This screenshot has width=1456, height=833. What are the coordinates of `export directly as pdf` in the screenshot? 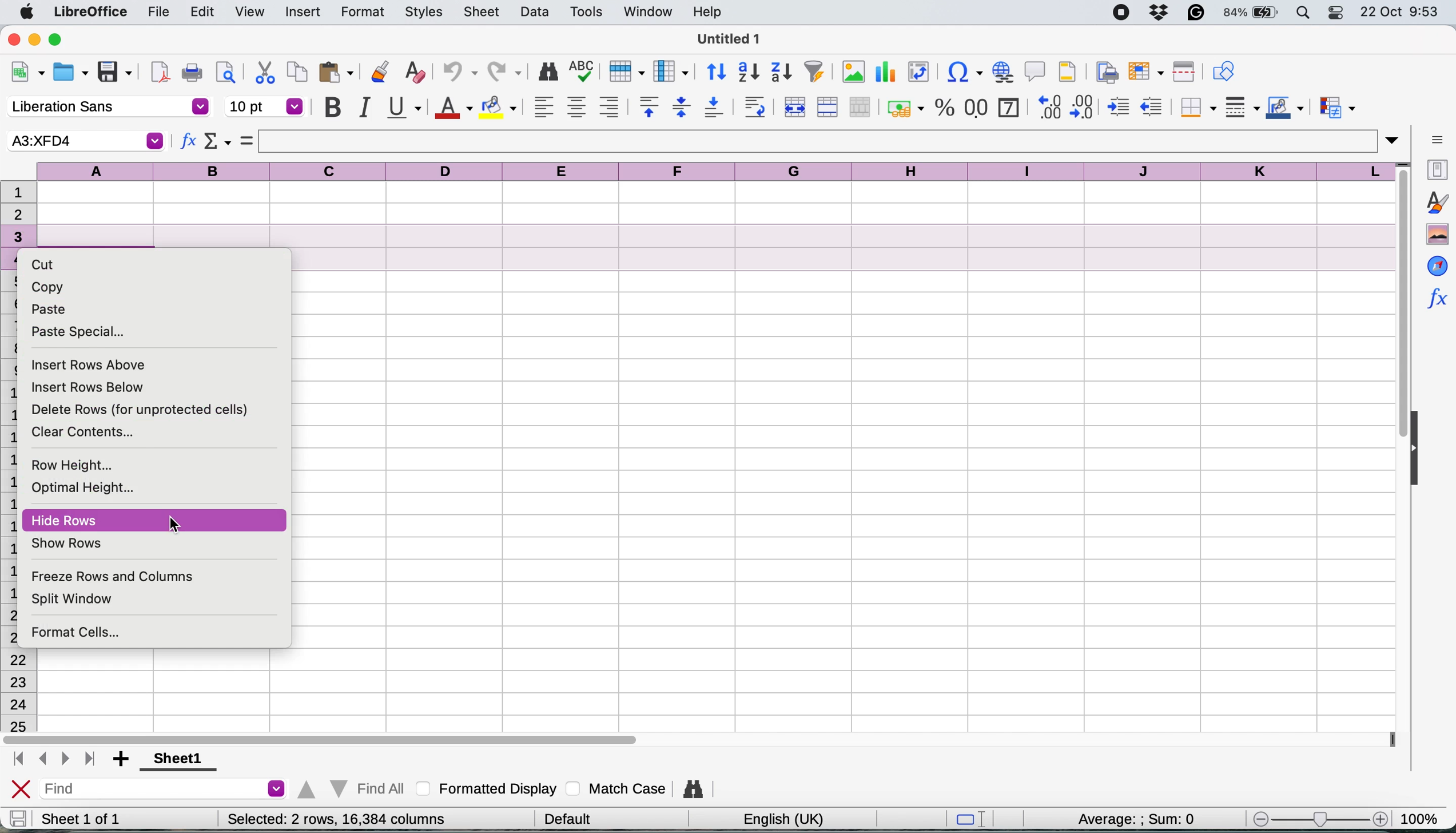 It's located at (161, 72).